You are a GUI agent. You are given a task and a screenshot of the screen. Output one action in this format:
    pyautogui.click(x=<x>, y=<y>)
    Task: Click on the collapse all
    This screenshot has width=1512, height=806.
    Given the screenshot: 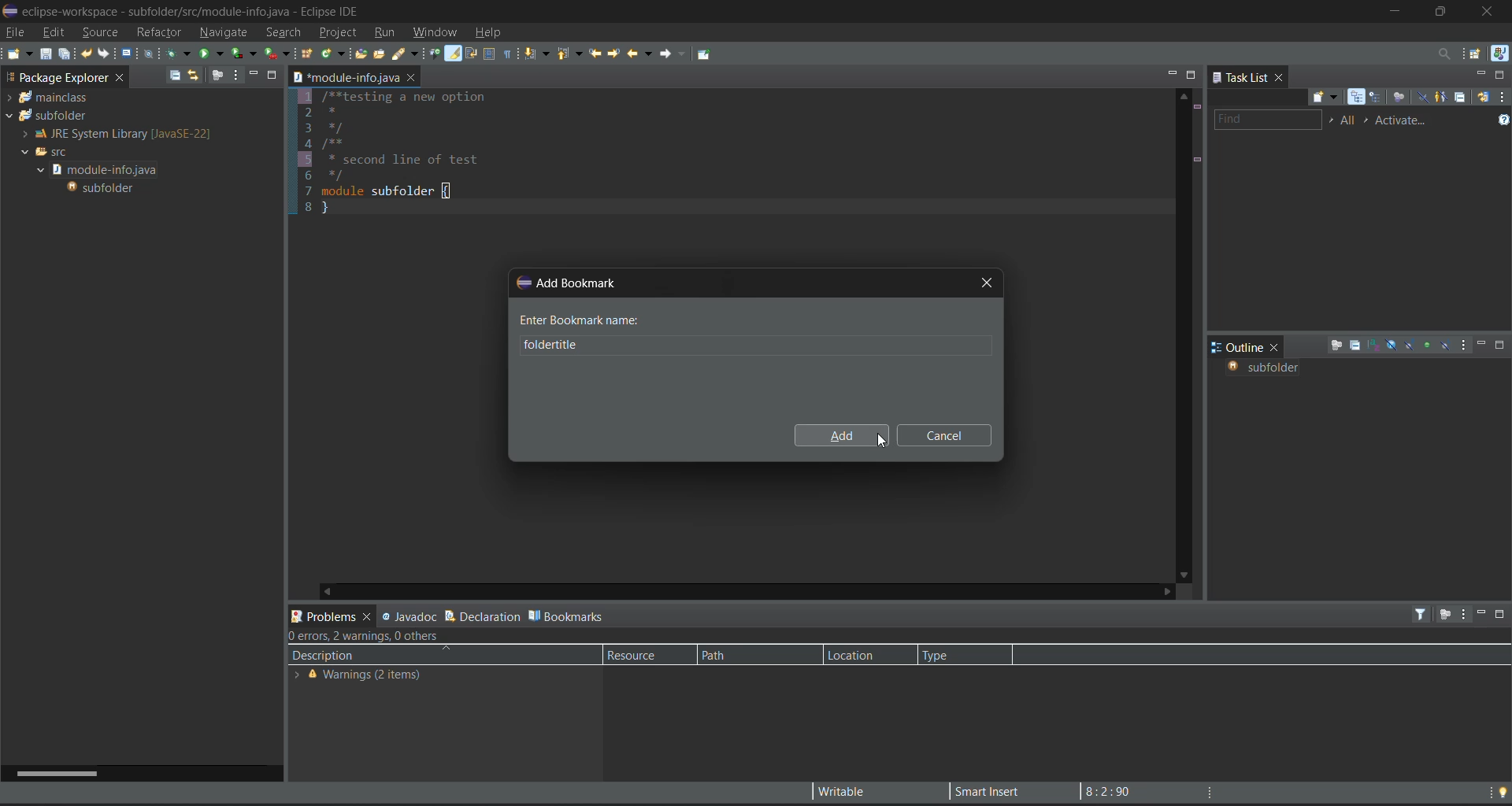 What is the action you would take?
    pyautogui.click(x=1354, y=346)
    